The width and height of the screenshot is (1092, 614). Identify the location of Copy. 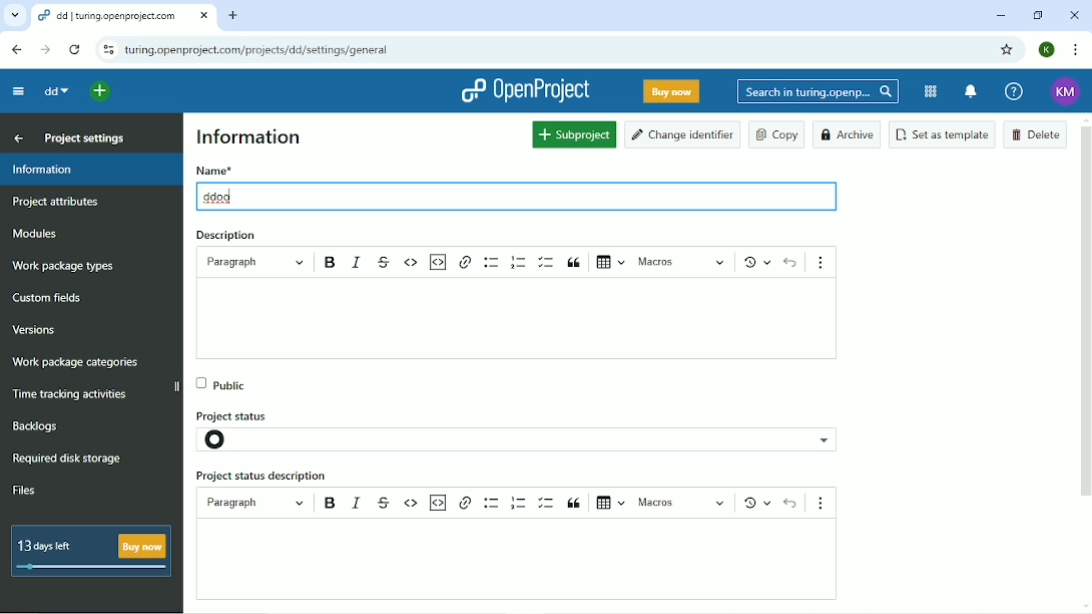
(777, 135).